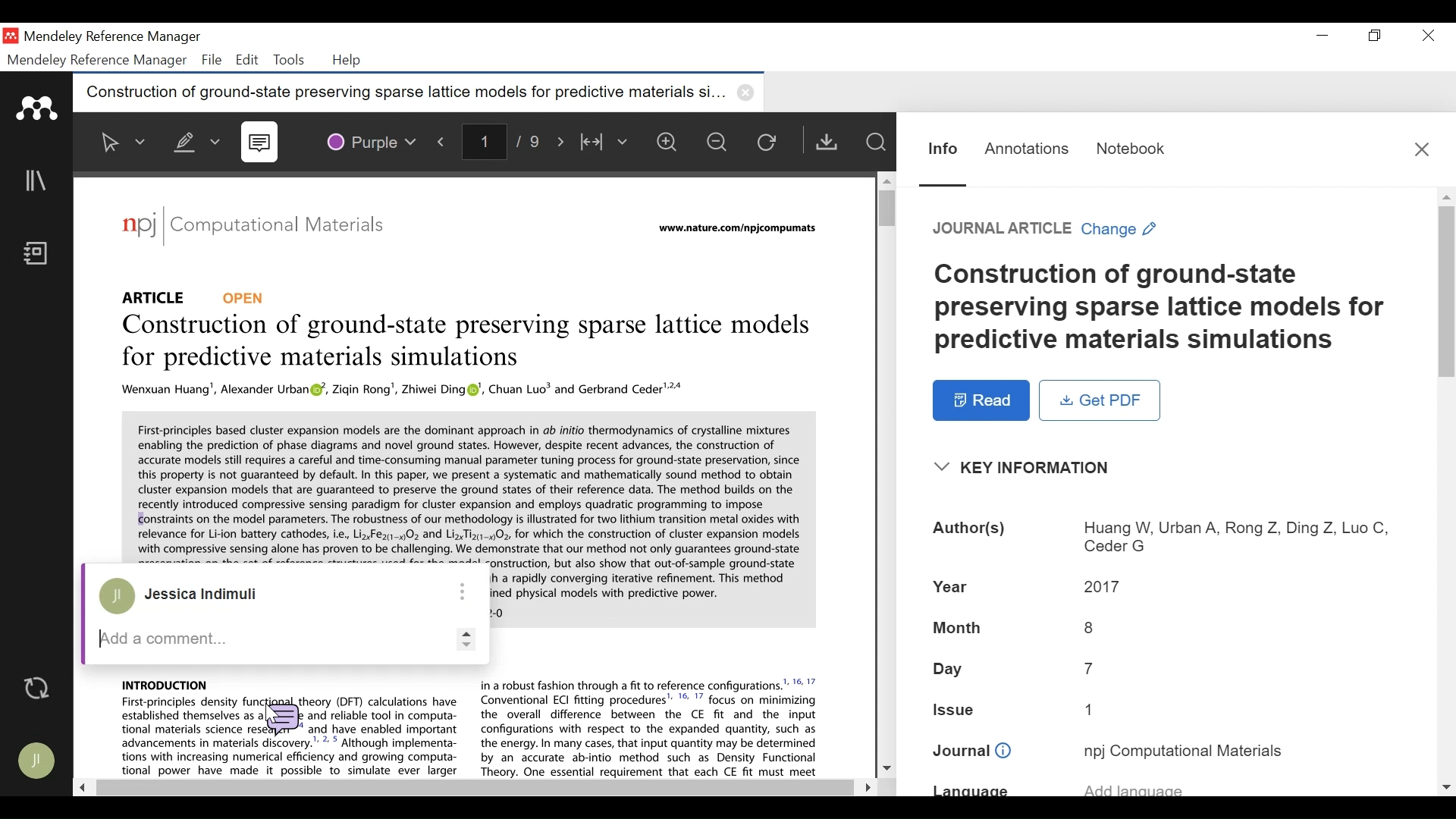  I want to click on Select, so click(121, 142).